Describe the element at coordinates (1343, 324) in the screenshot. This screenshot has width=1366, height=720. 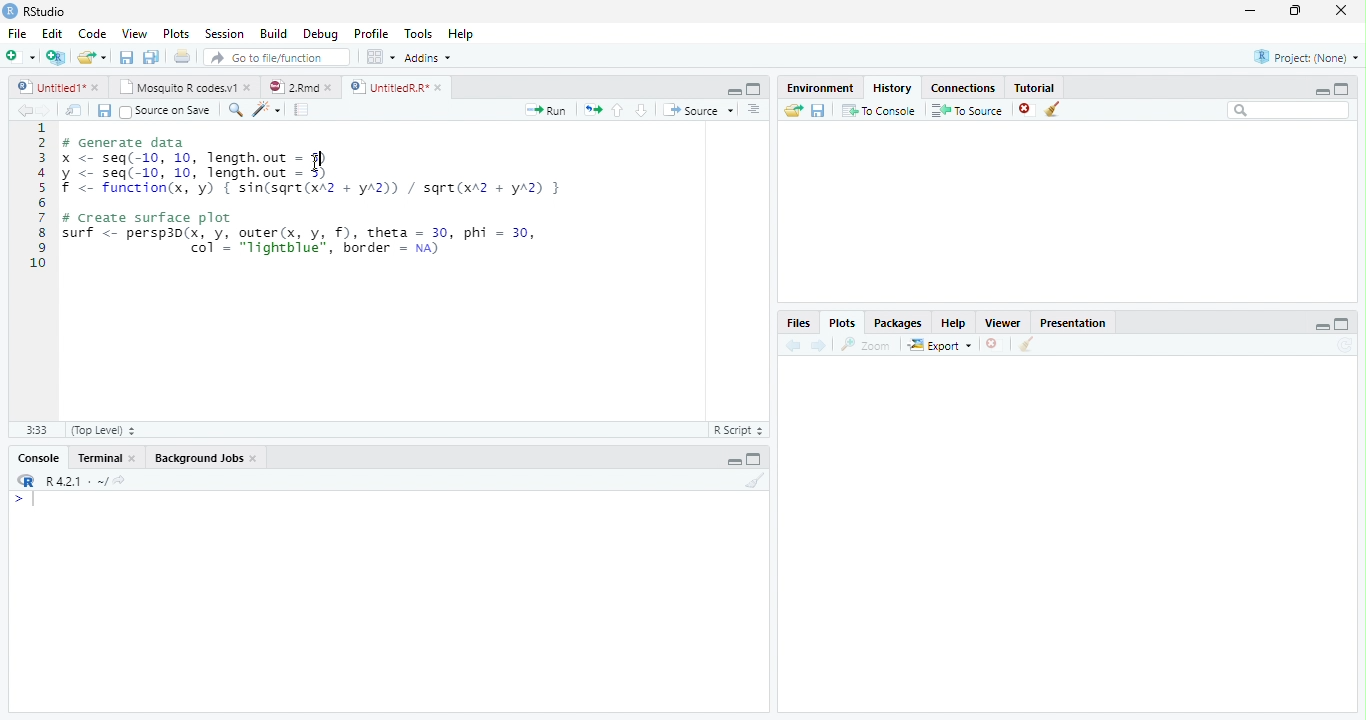
I see `maximize` at that location.